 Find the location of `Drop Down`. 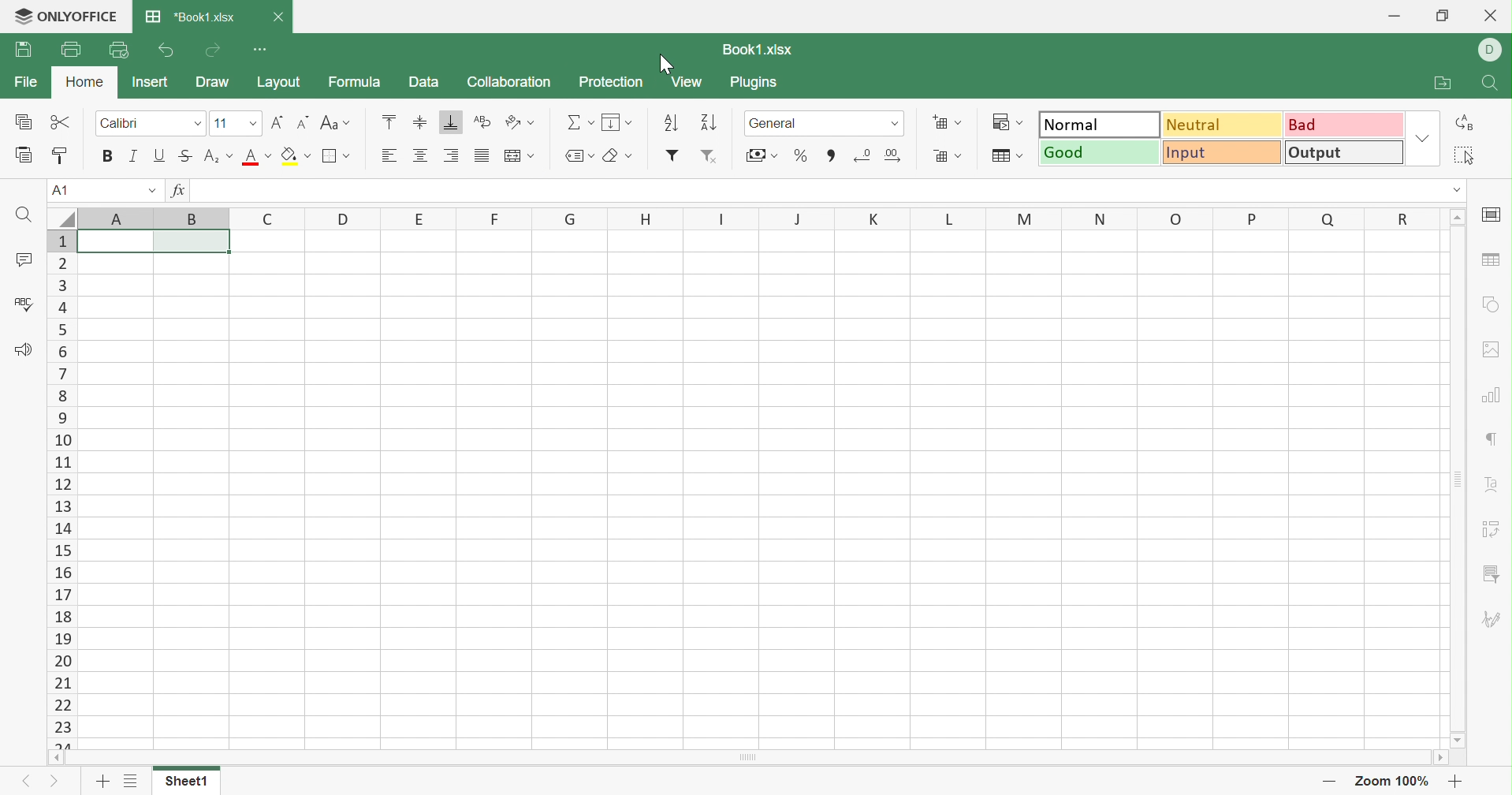

Drop Down is located at coordinates (1454, 191).